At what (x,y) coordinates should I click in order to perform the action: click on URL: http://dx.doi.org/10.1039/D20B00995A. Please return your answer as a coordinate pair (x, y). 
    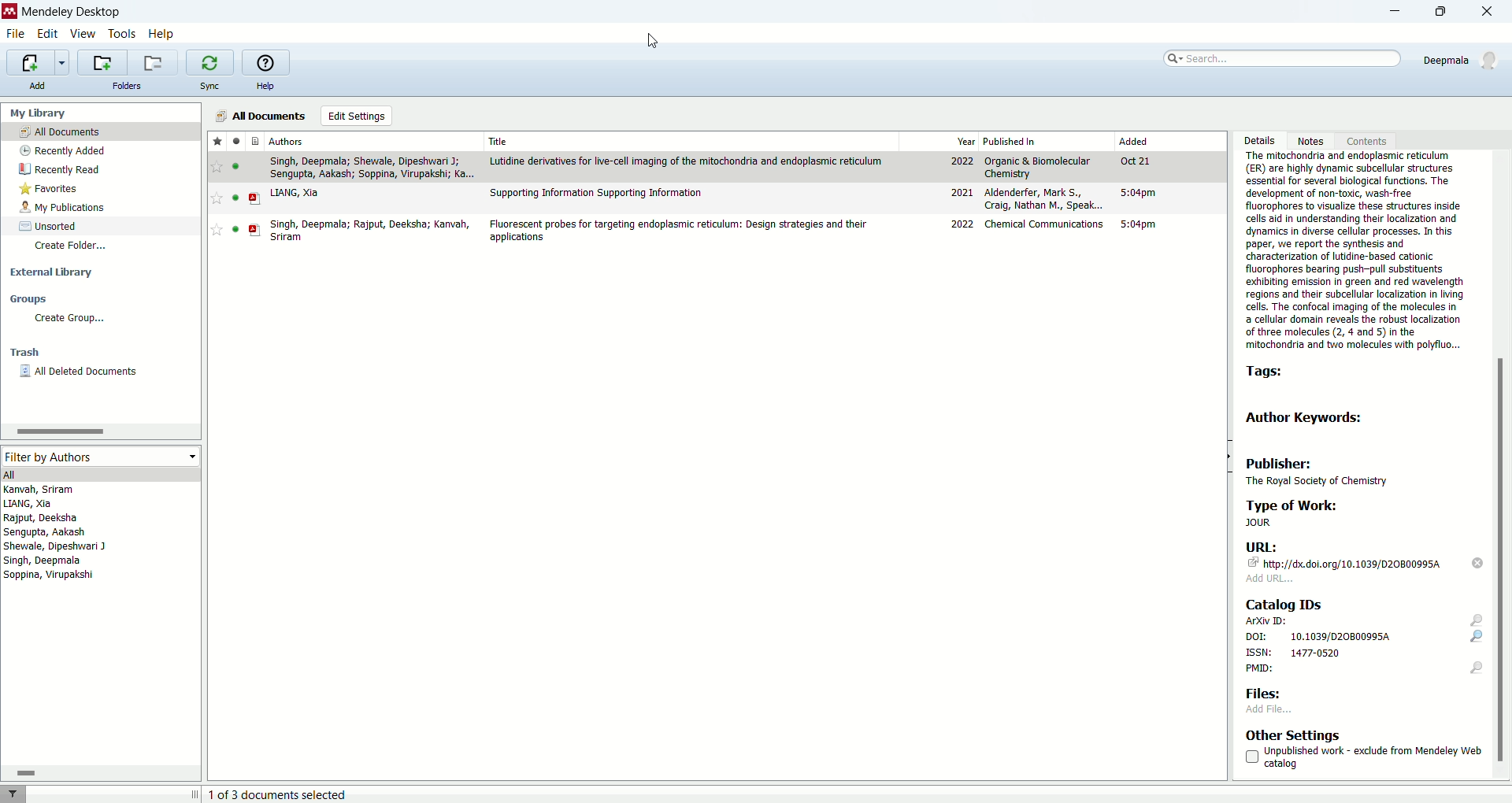
    Looking at the image, I should click on (1347, 555).